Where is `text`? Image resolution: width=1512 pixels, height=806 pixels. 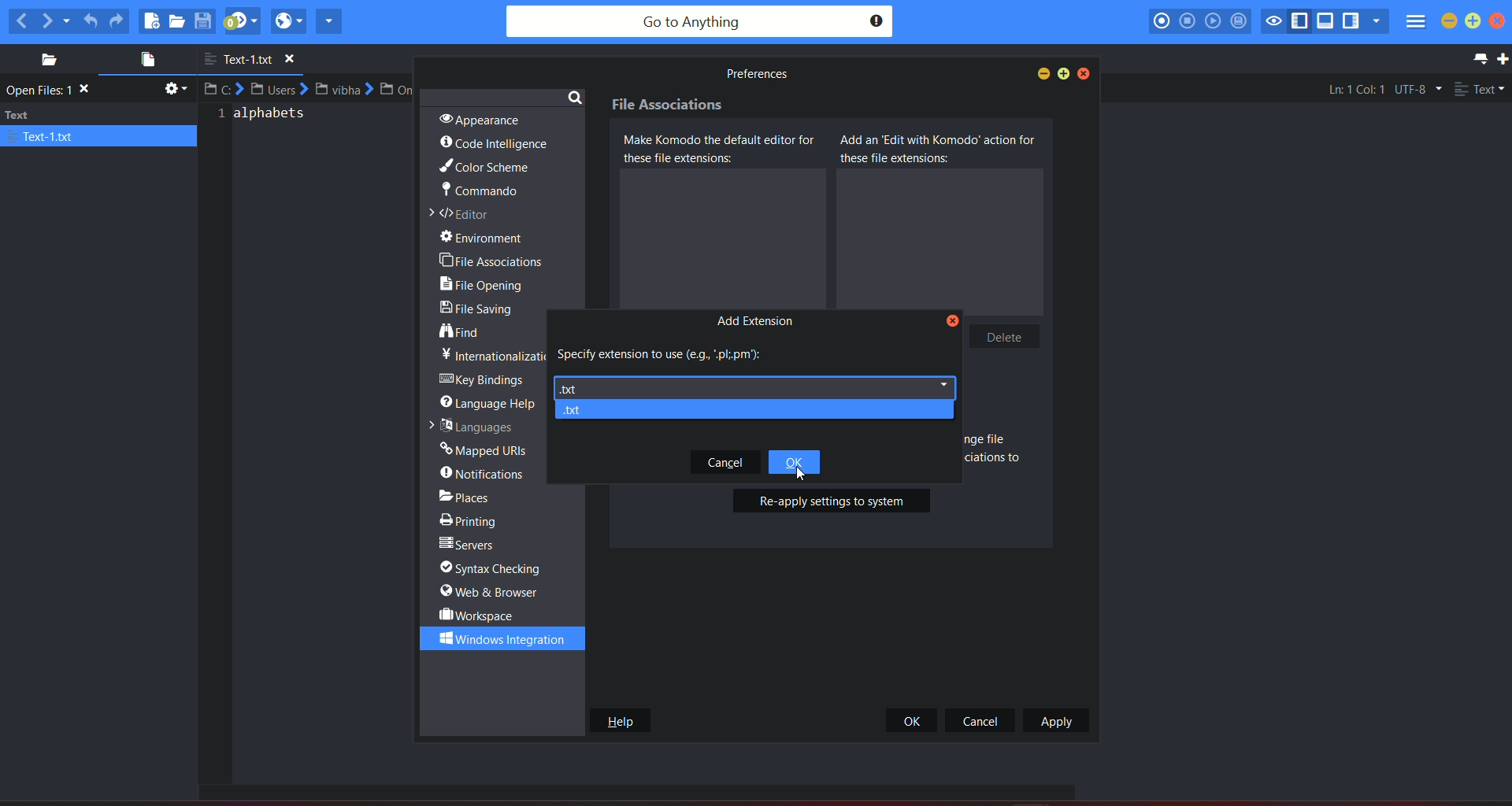
text is located at coordinates (99, 125).